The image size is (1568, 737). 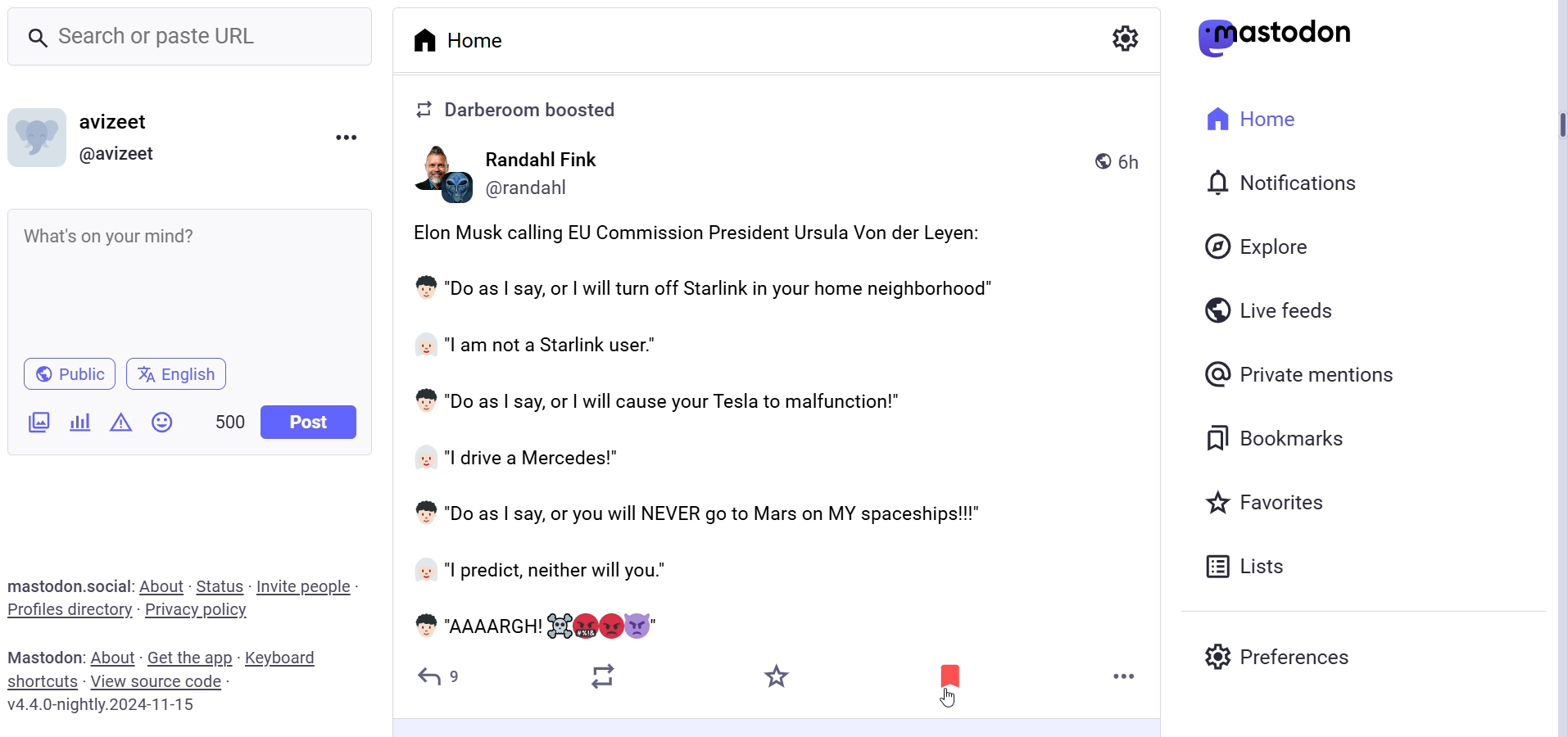 I want to click on Public, so click(x=70, y=373).